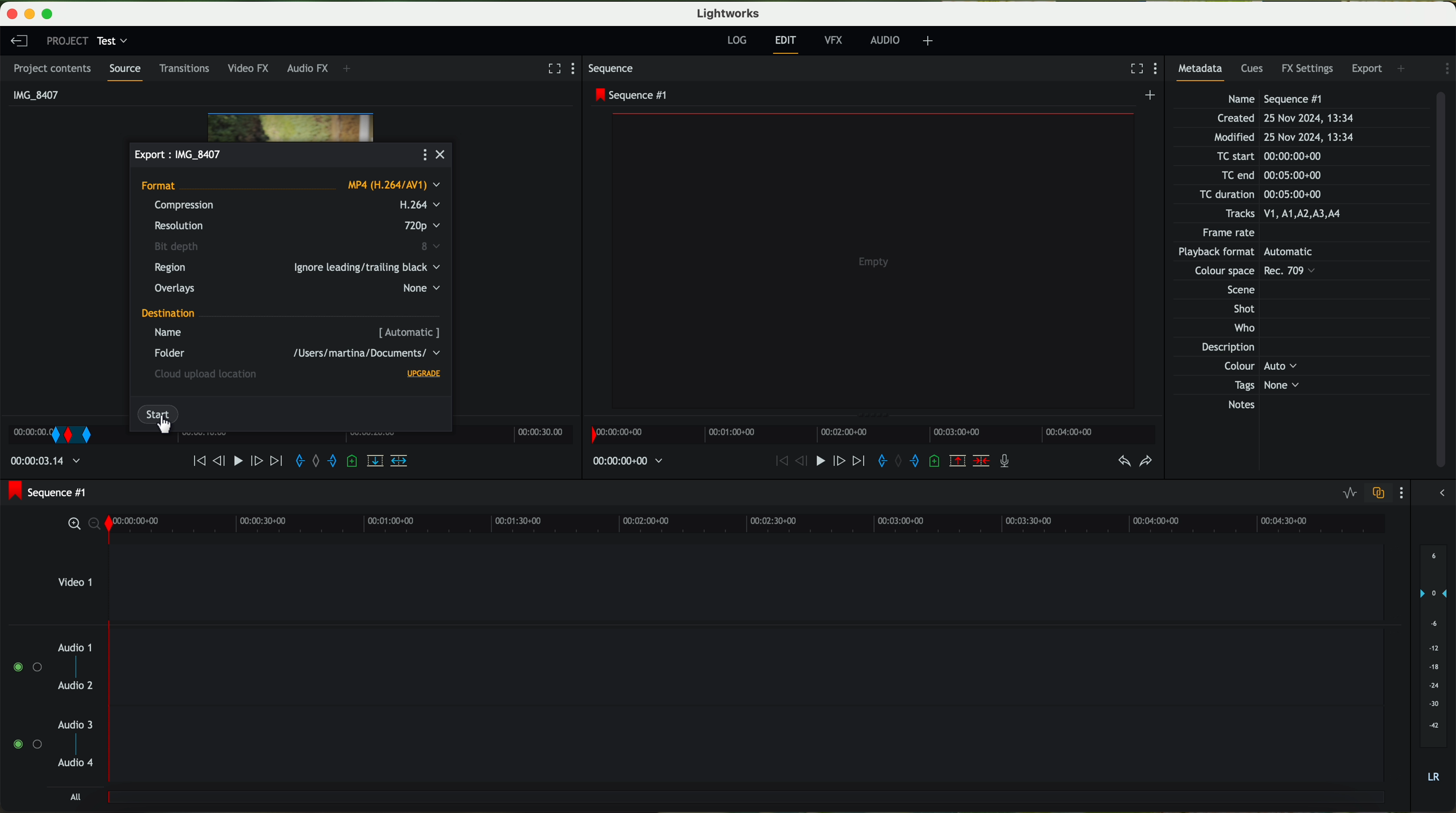 This screenshot has height=813, width=1456. I want to click on show settings menu, so click(1158, 70).